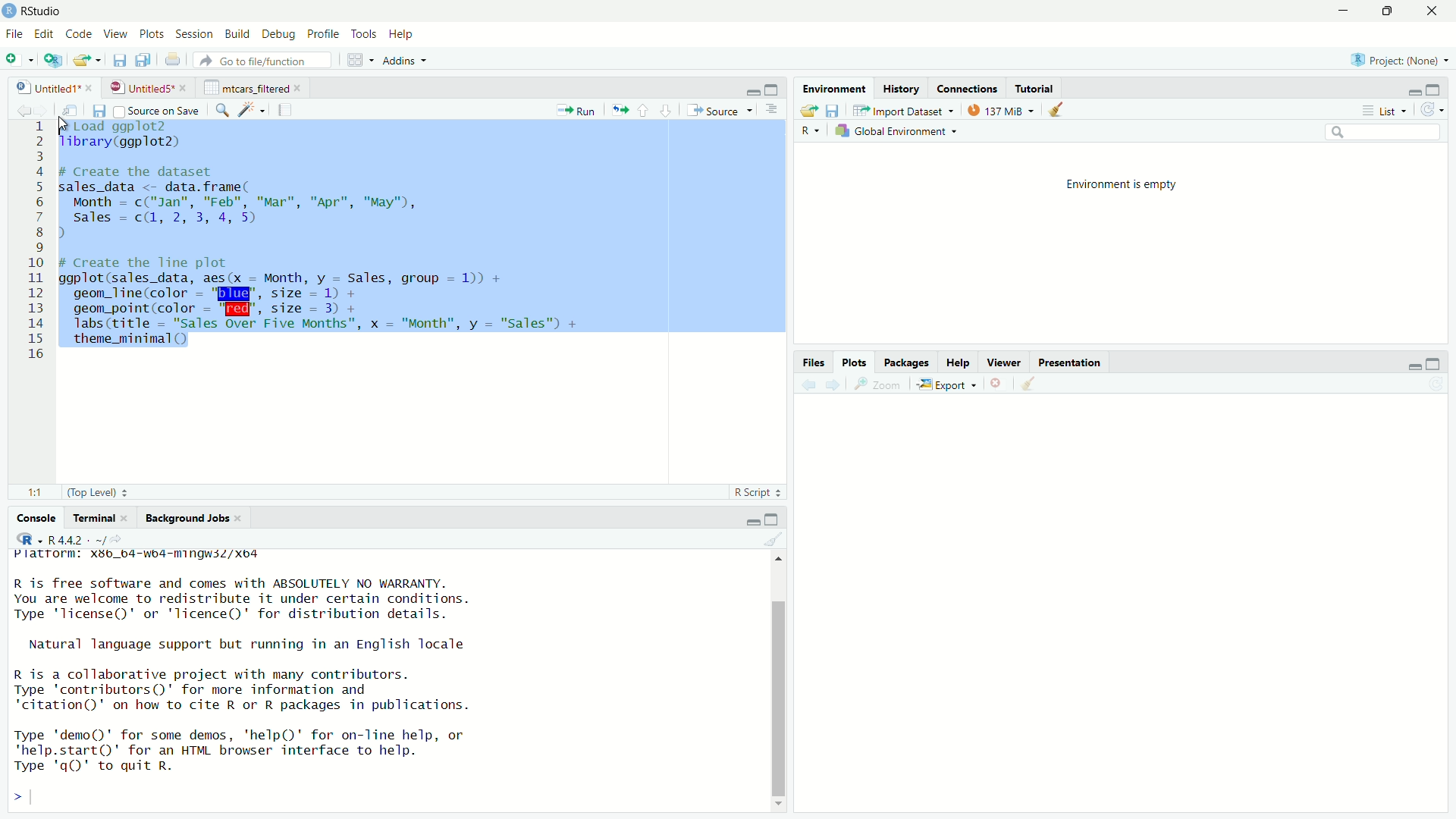 The width and height of the screenshot is (1456, 819). Describe the element at coordinates (1072, 364) in the screenshot. I see `presentation` at that location.